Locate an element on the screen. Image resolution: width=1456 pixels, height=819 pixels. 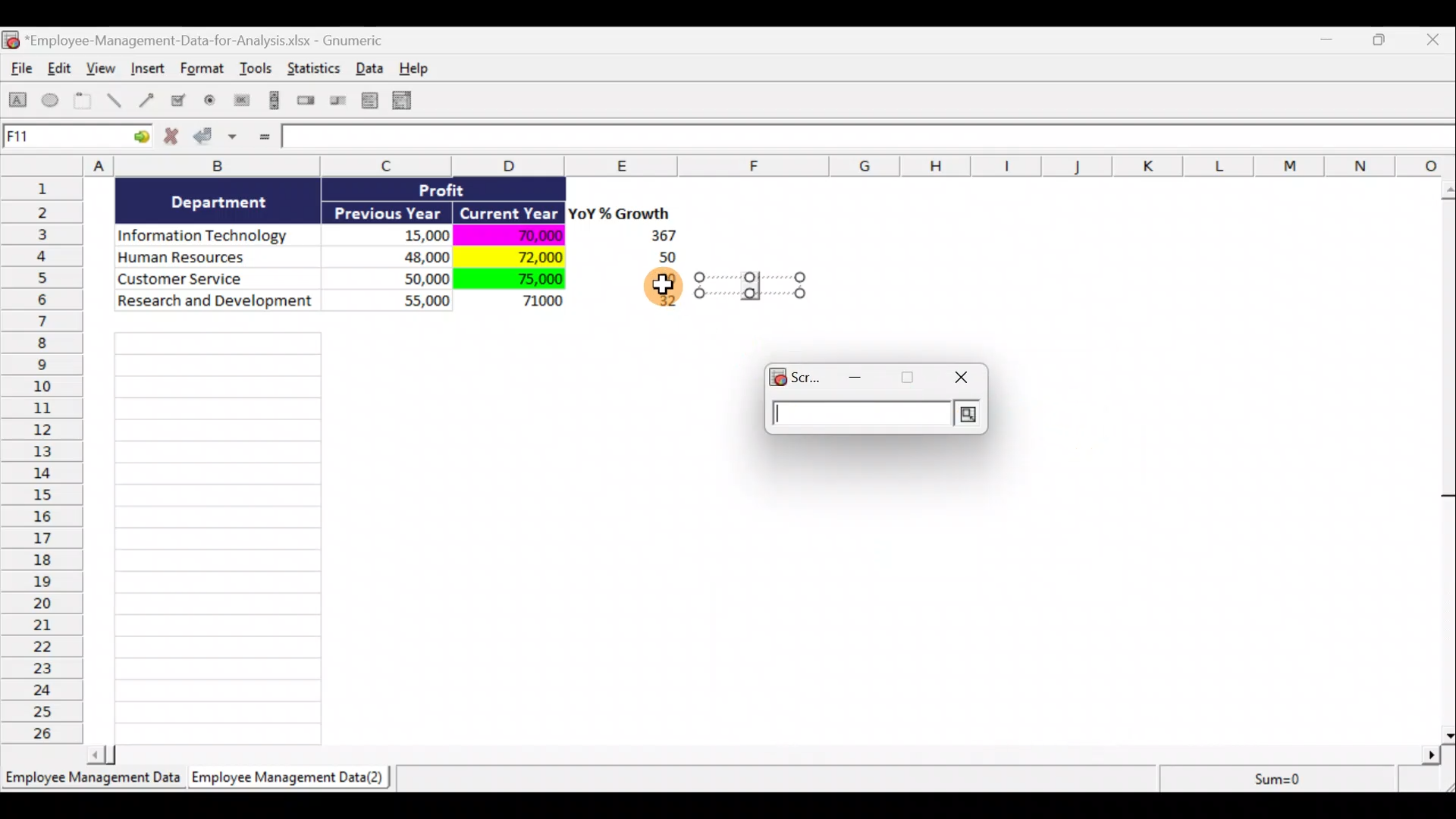
Create a frame is located at coordinates (83, 102).